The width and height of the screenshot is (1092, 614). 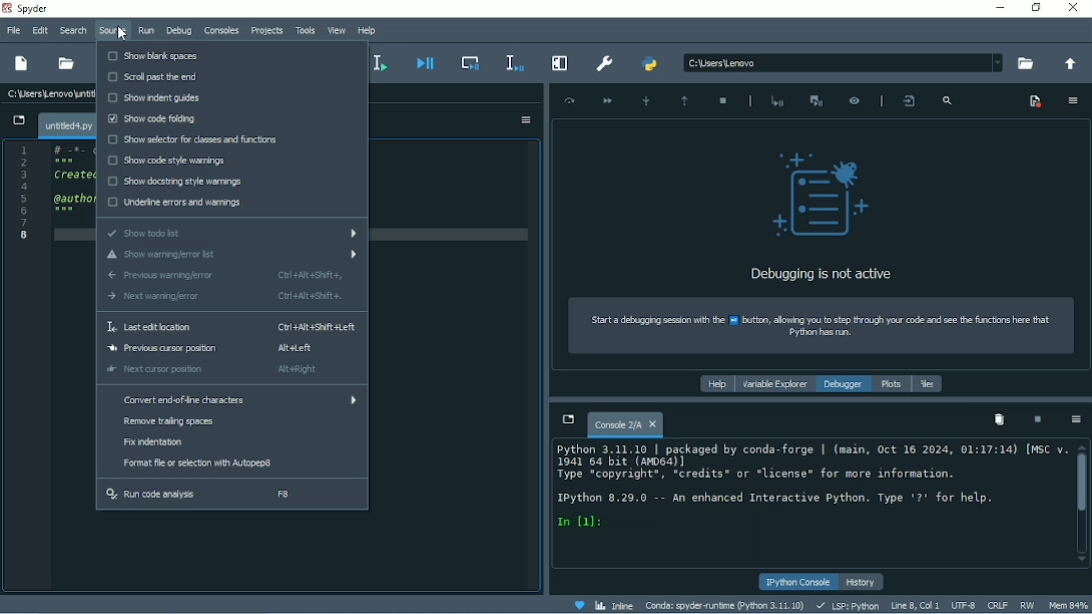 I want to click on Browse tabs, so click(x=564, y=421).